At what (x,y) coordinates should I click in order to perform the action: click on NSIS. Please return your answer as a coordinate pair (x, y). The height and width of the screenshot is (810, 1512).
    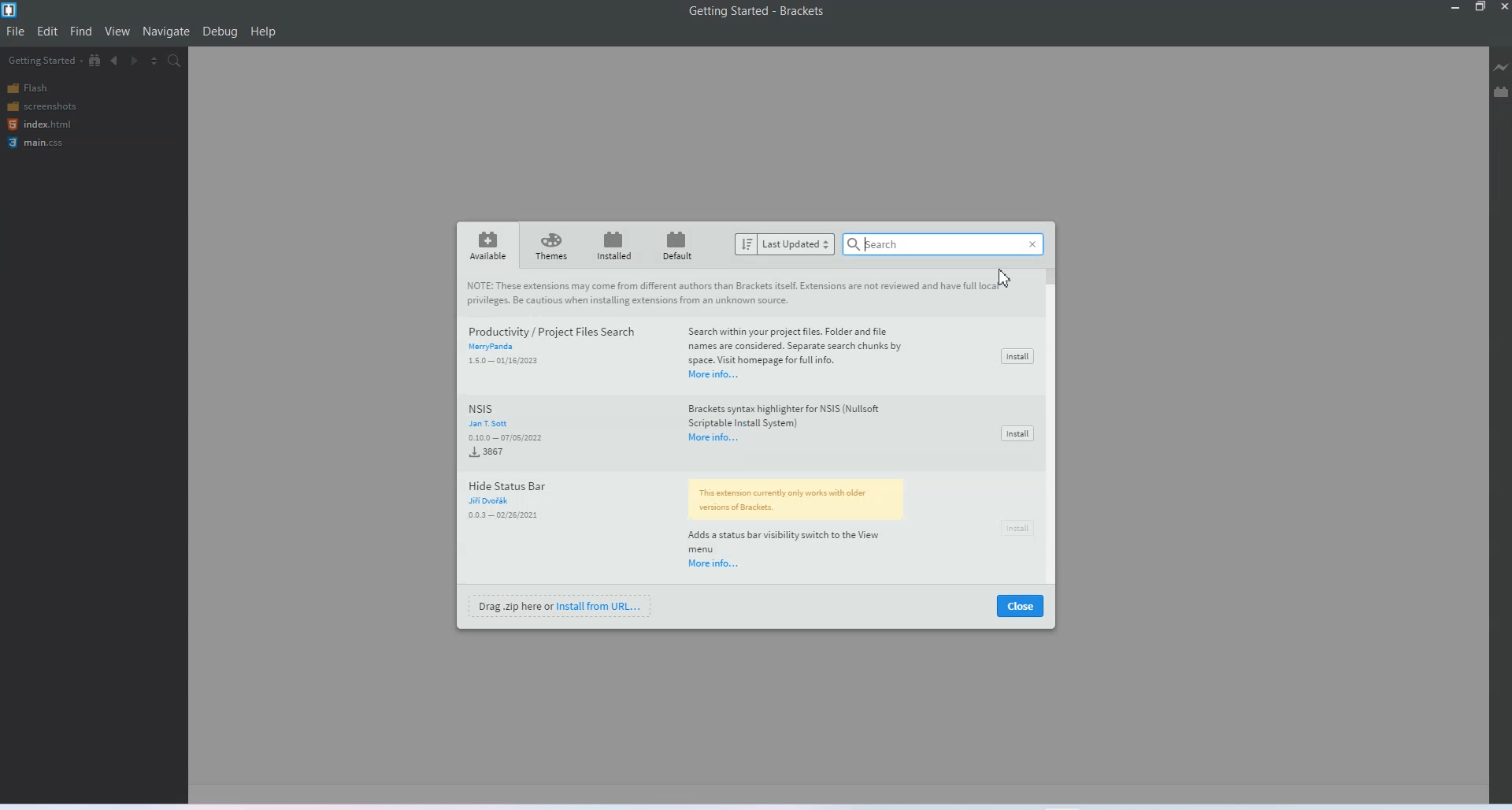
    Looking at the image, I should click on (504, 408).